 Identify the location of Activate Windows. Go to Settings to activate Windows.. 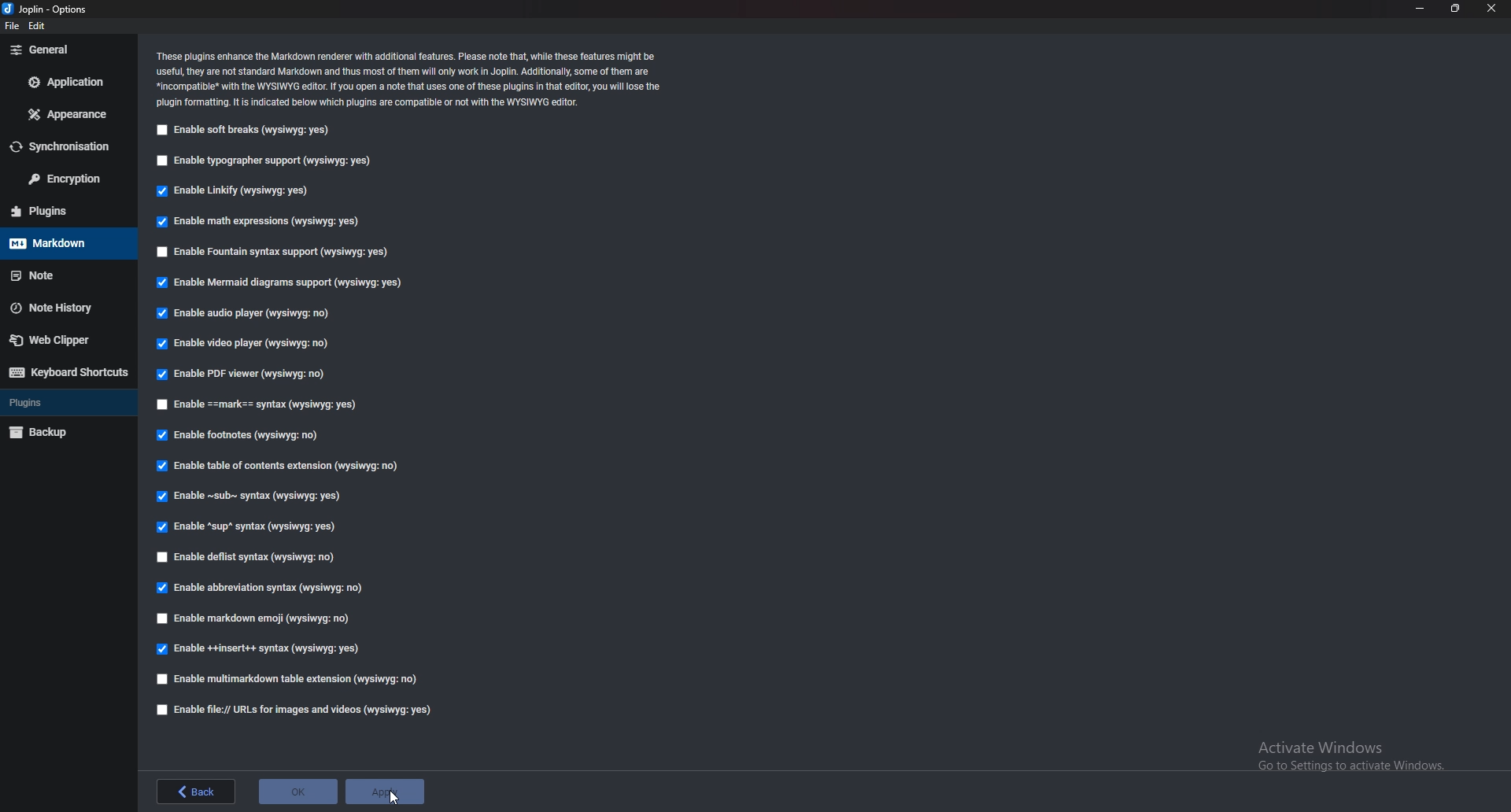
(1340, 751).